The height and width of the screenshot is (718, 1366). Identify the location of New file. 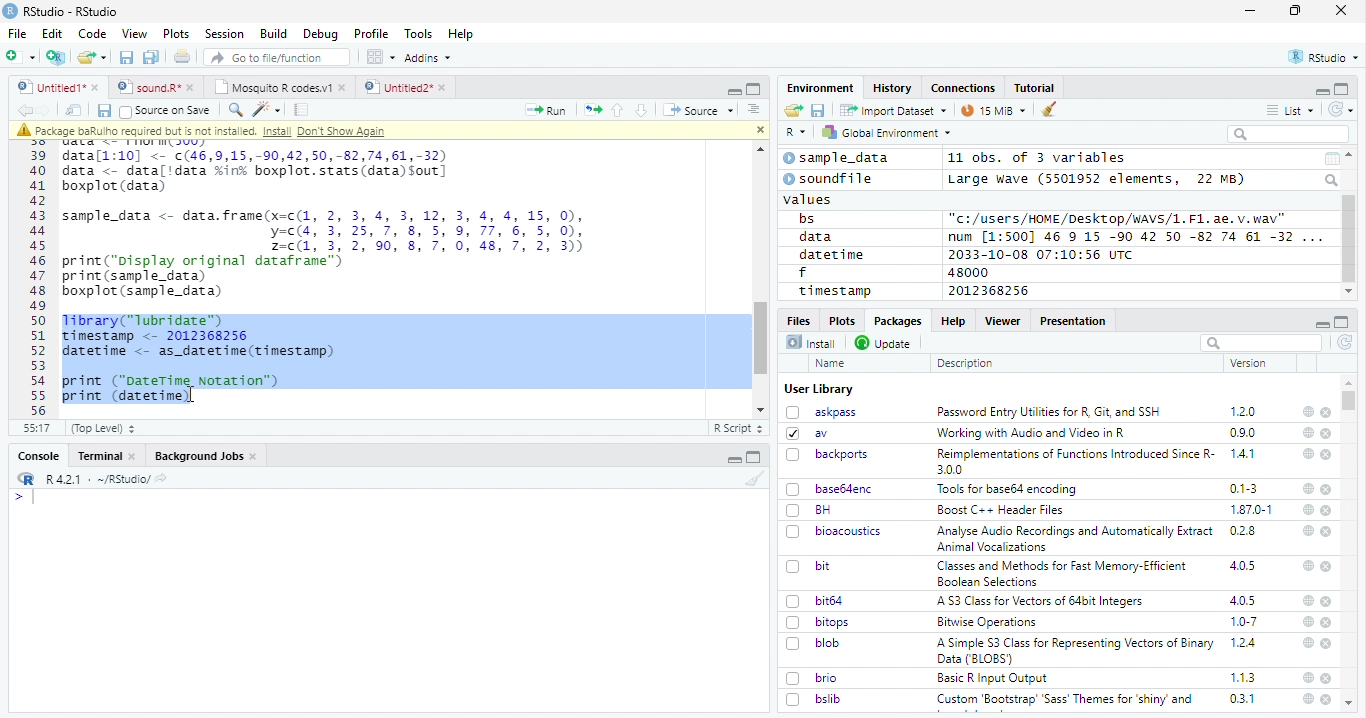
(22, 57).